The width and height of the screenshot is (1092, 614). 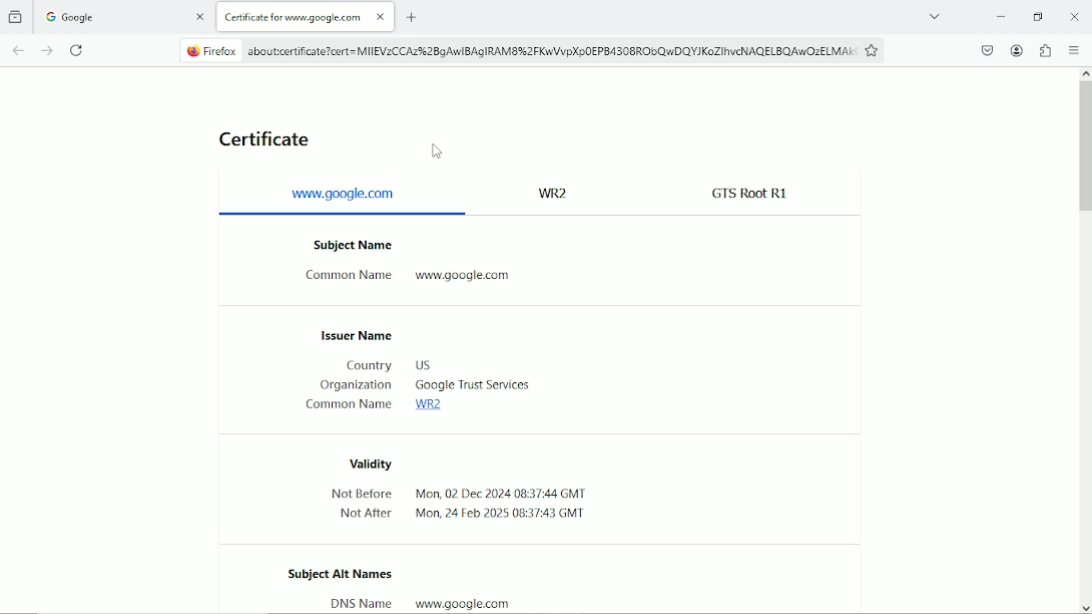 What do you see at coordinates (352, 333) in the screenshot?
I see `Issuer name` at bounding box center [352, 333].